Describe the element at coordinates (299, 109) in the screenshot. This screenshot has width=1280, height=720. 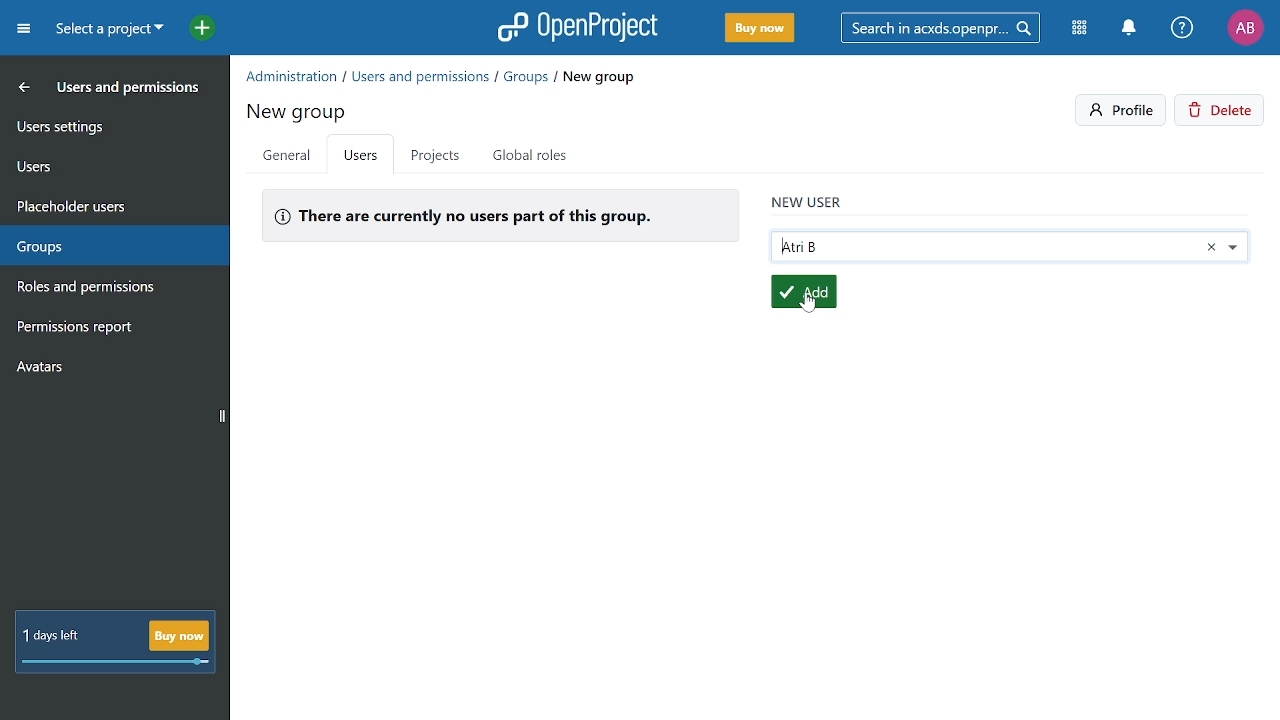
I see `new group` at that location.